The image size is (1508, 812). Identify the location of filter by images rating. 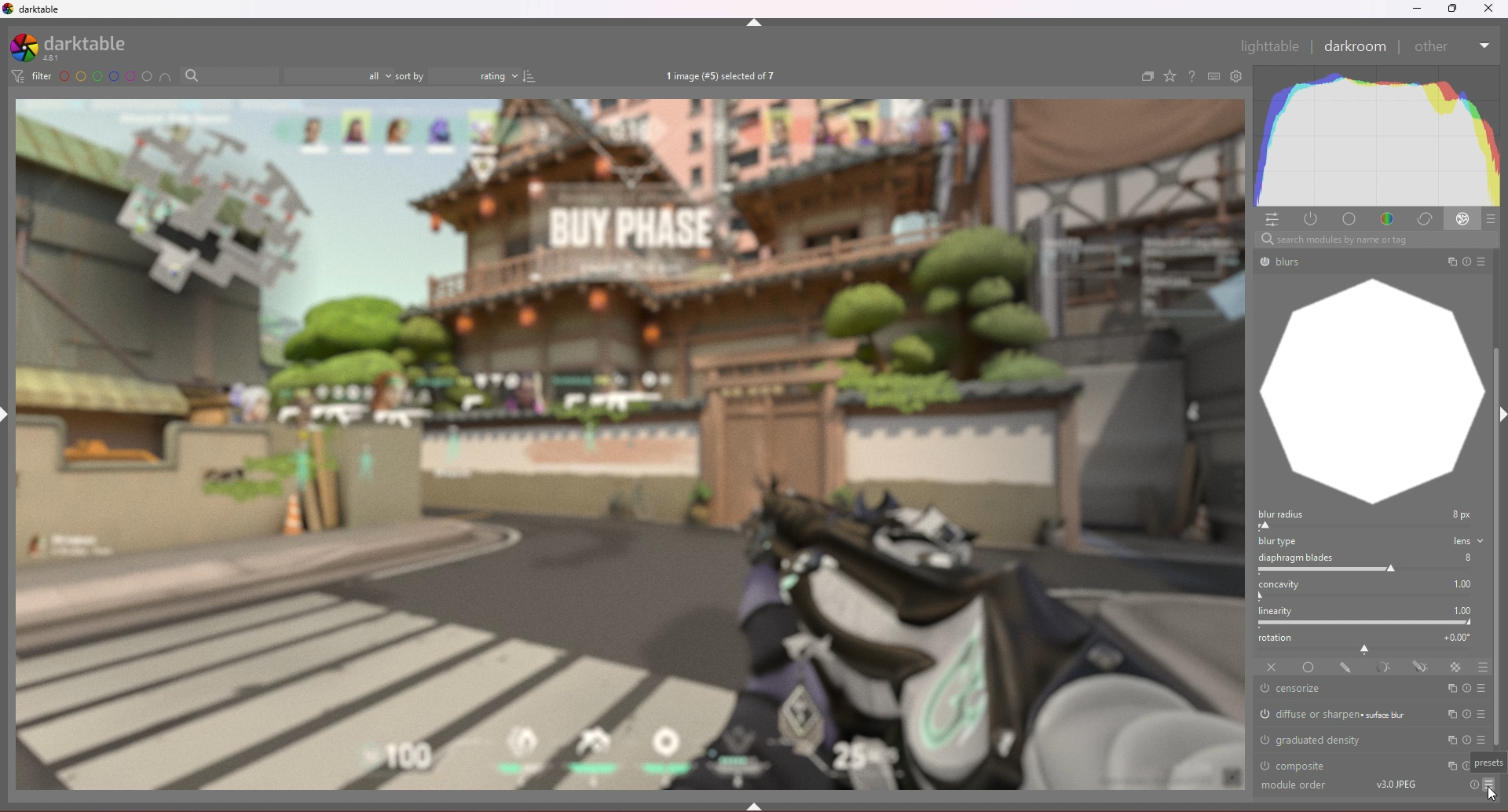
(339, 75).